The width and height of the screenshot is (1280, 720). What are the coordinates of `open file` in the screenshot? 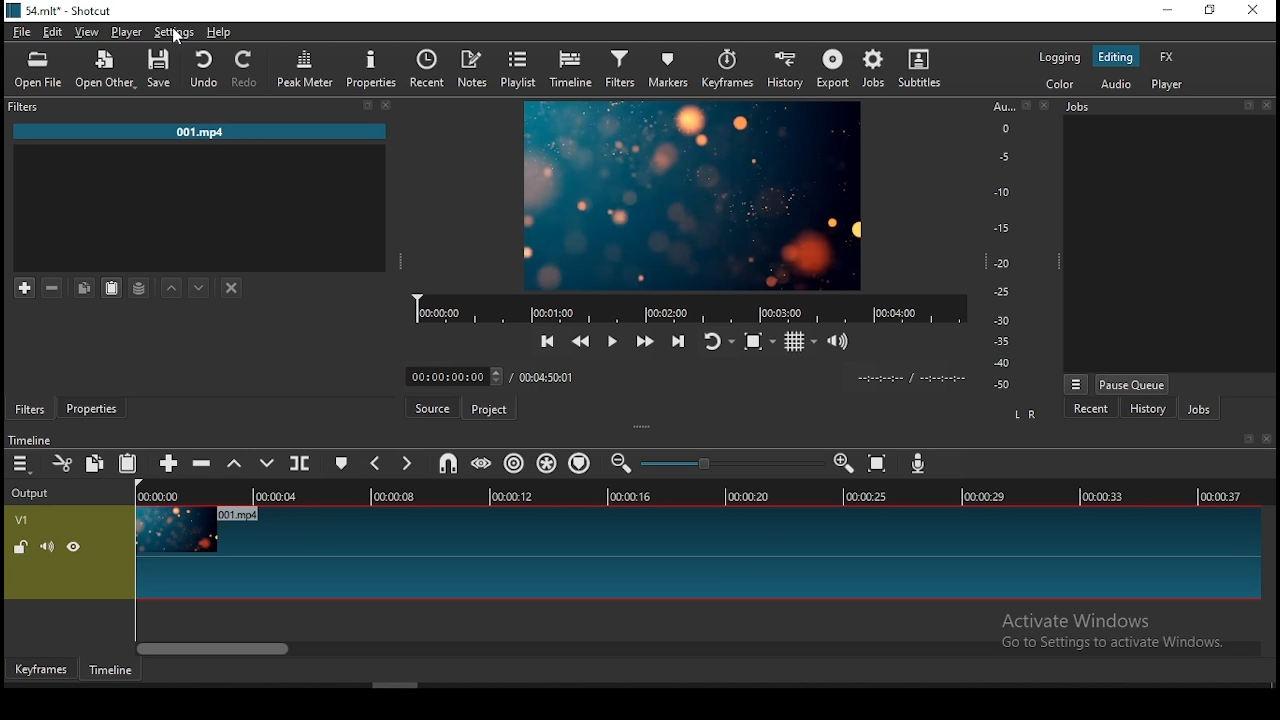 It's located at (38, 73).